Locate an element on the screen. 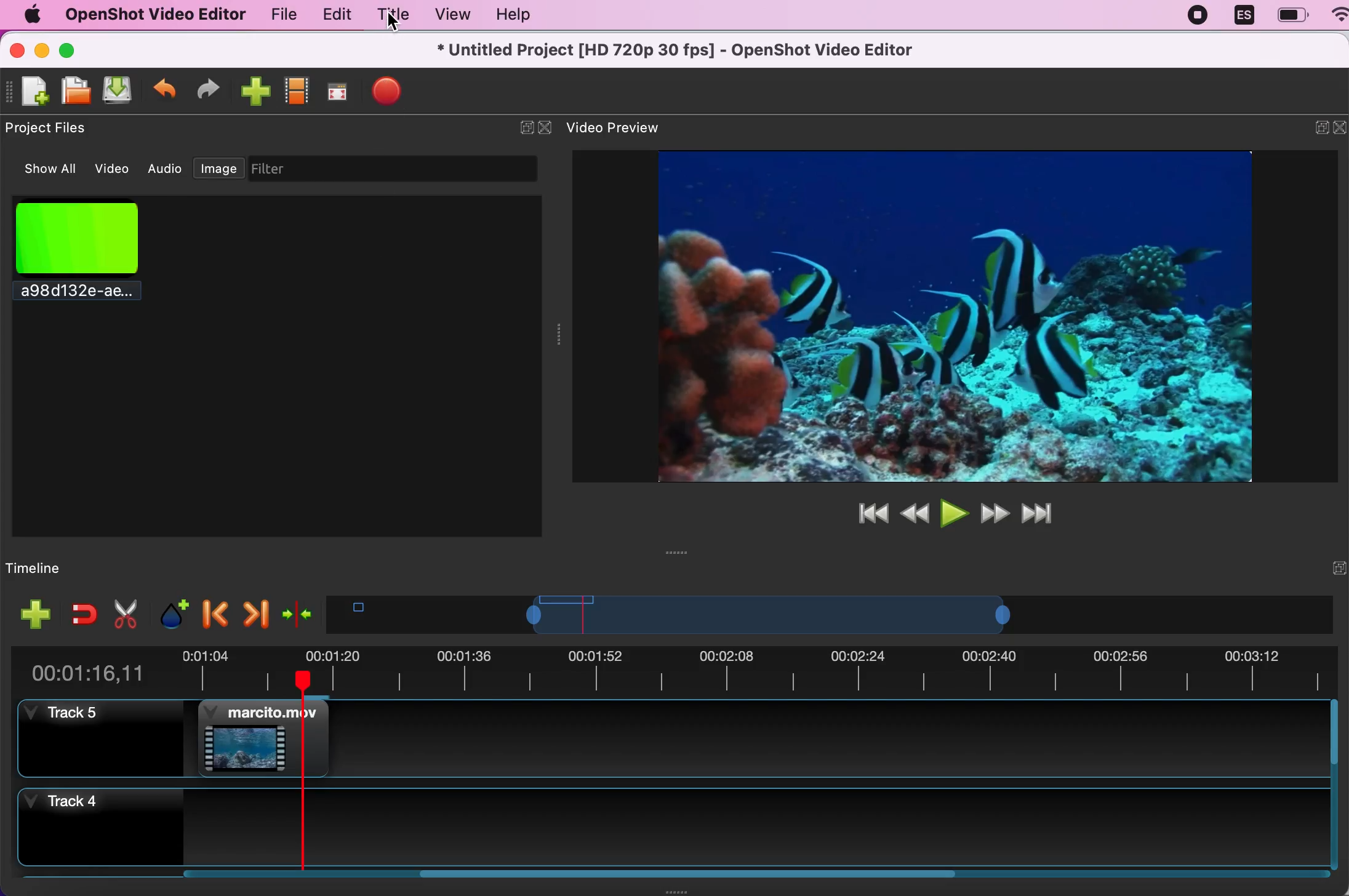  open file is located at coordinates (77, 91).